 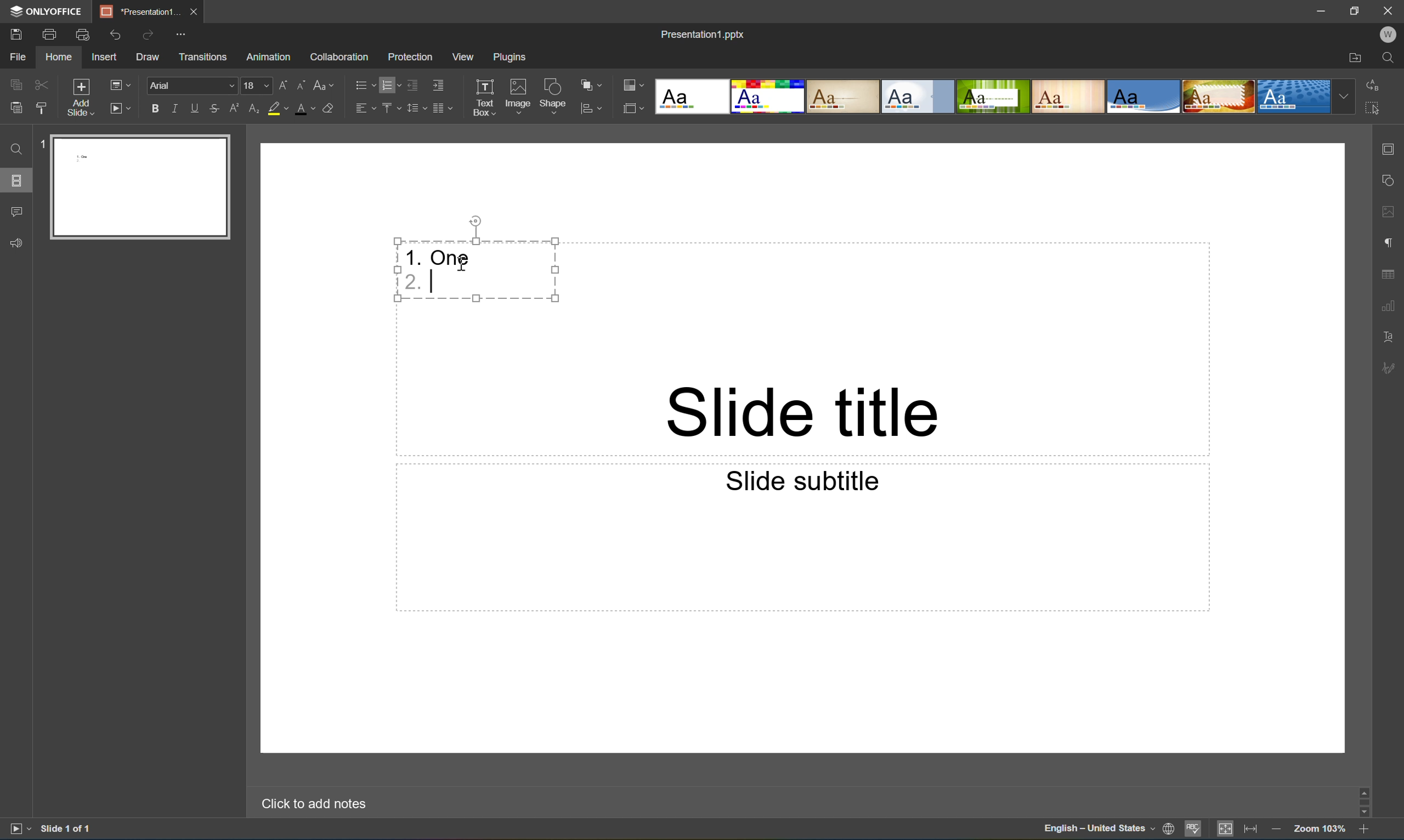 What do you see at coordinates (49, 12) in the screenshot?
I see `ONLYOFFICE` at bounding box center [49, 12].